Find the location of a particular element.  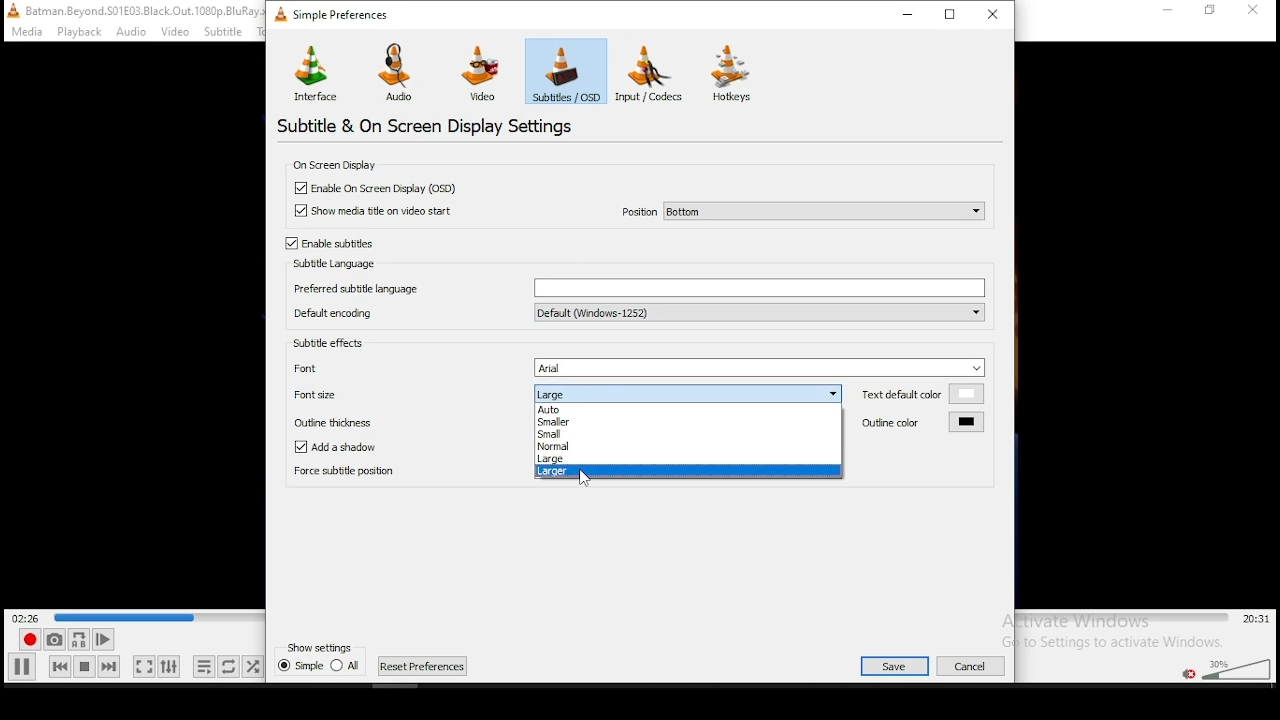

restore is located at coordinates (952, 13).